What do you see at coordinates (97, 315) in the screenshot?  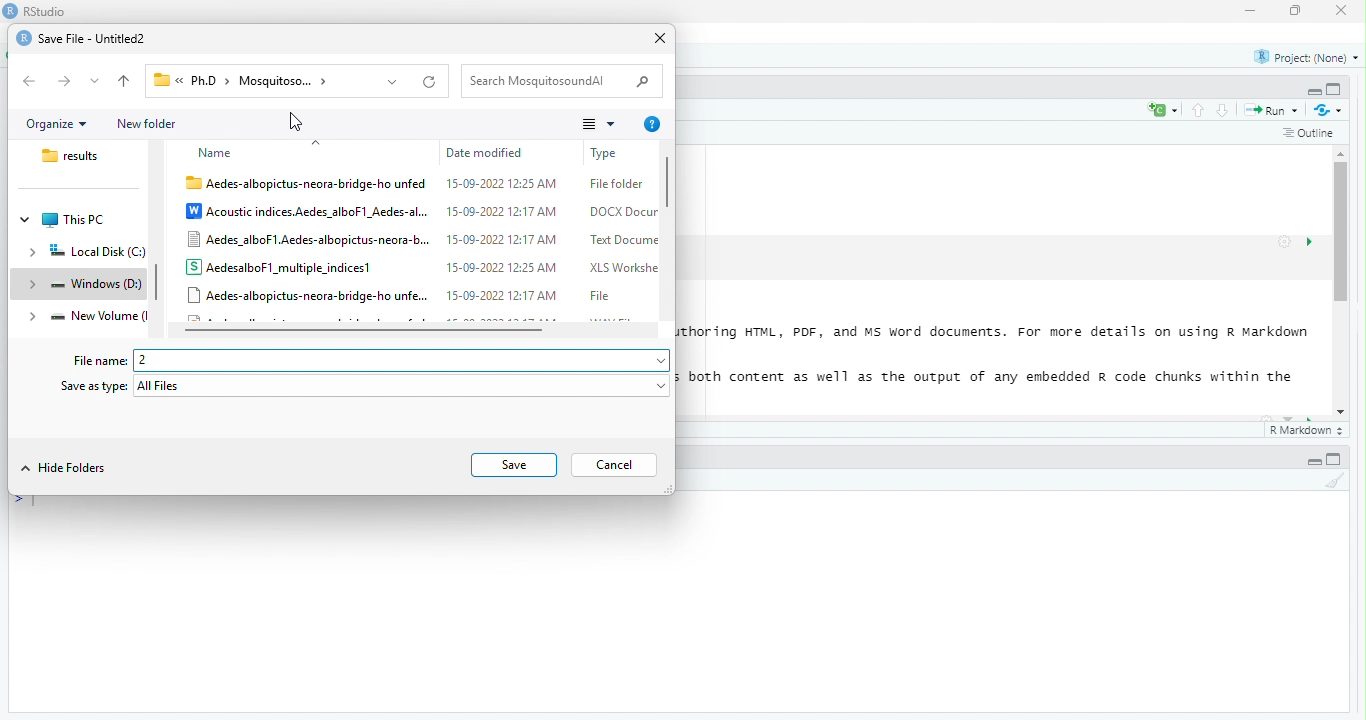 I see `New Volume (I:)` at bounding box center [97, 315].